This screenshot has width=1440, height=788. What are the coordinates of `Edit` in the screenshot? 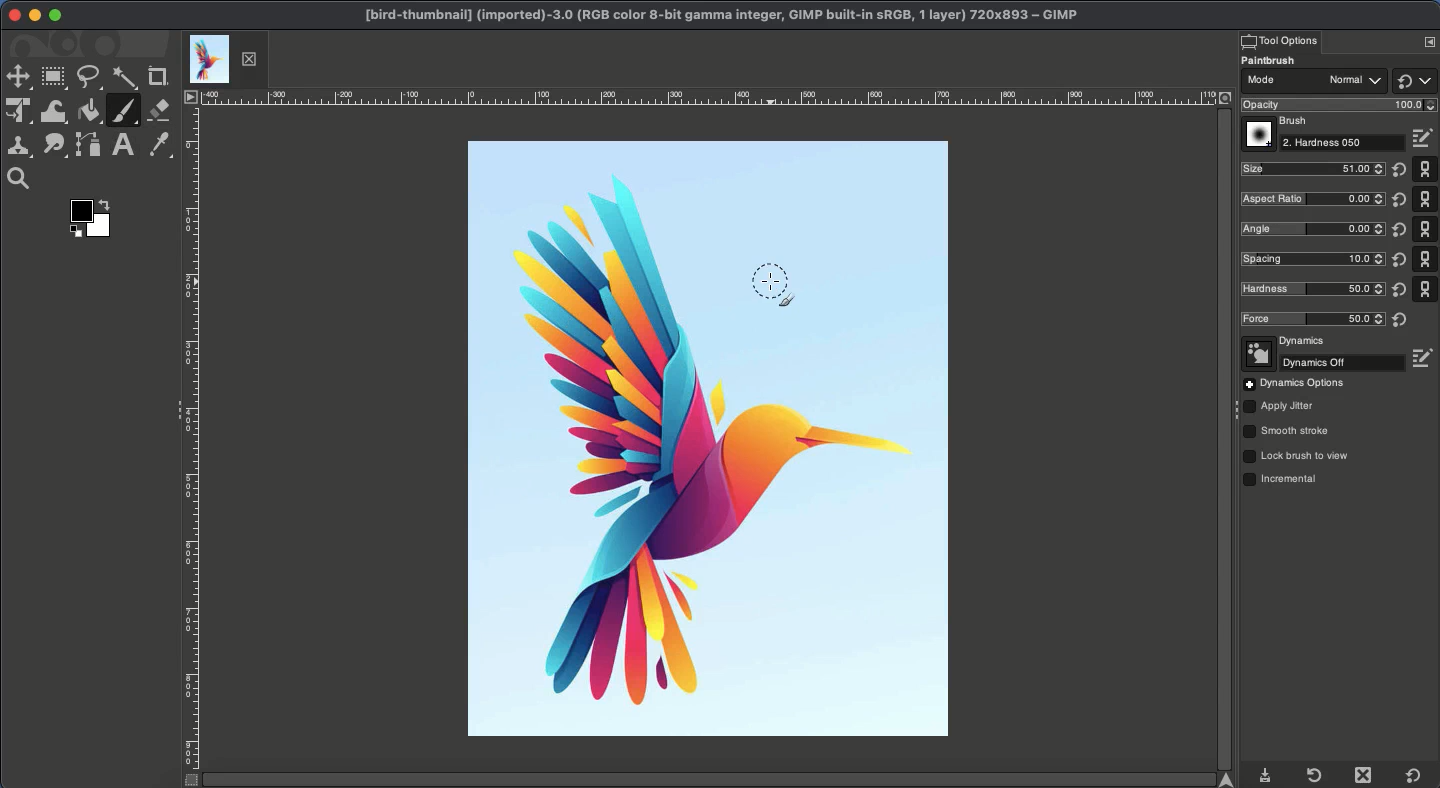 It's located at (1425, 139).